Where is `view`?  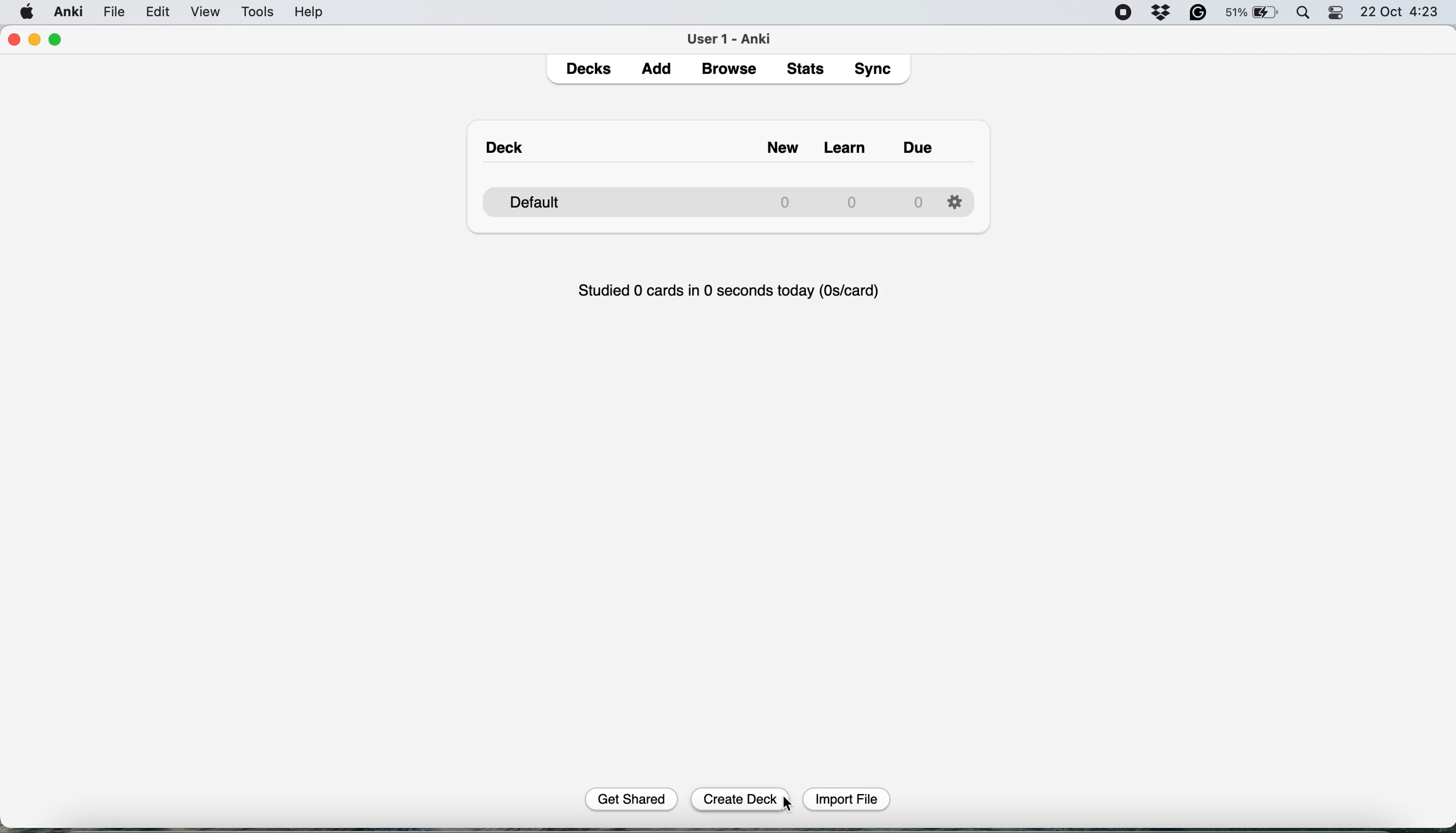 view is located at coordinates (209, 13).